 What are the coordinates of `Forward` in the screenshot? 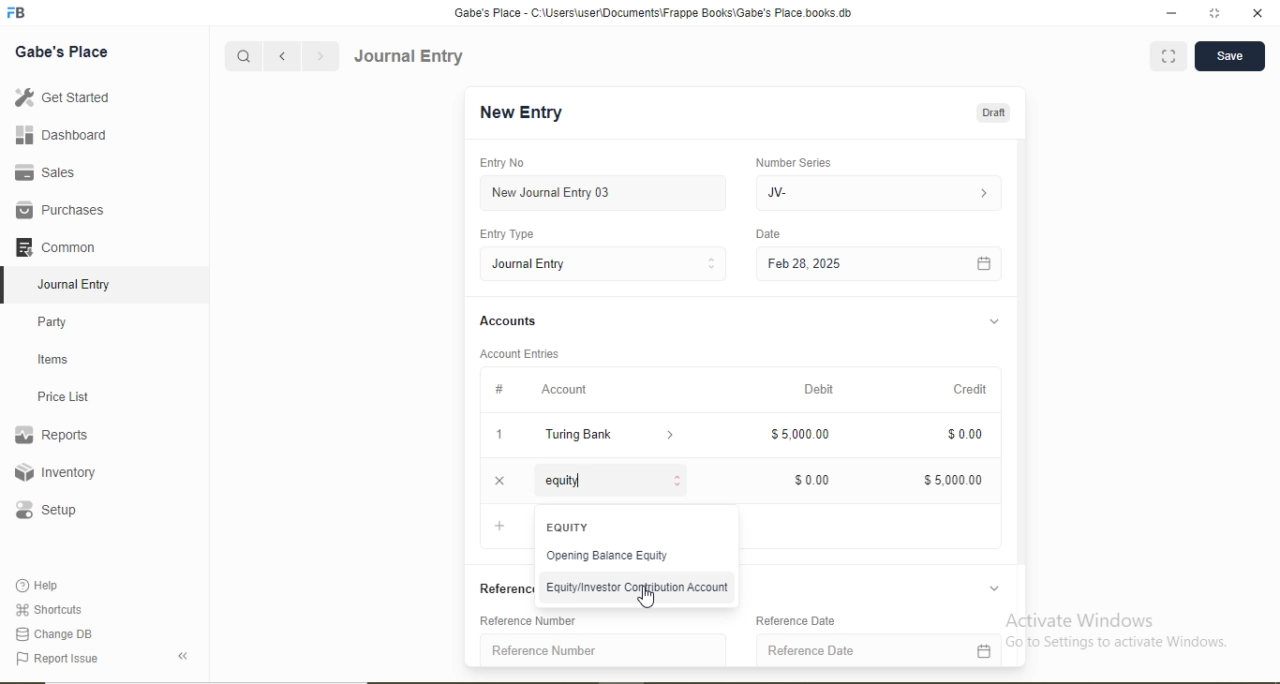 It's located at (321, 56).